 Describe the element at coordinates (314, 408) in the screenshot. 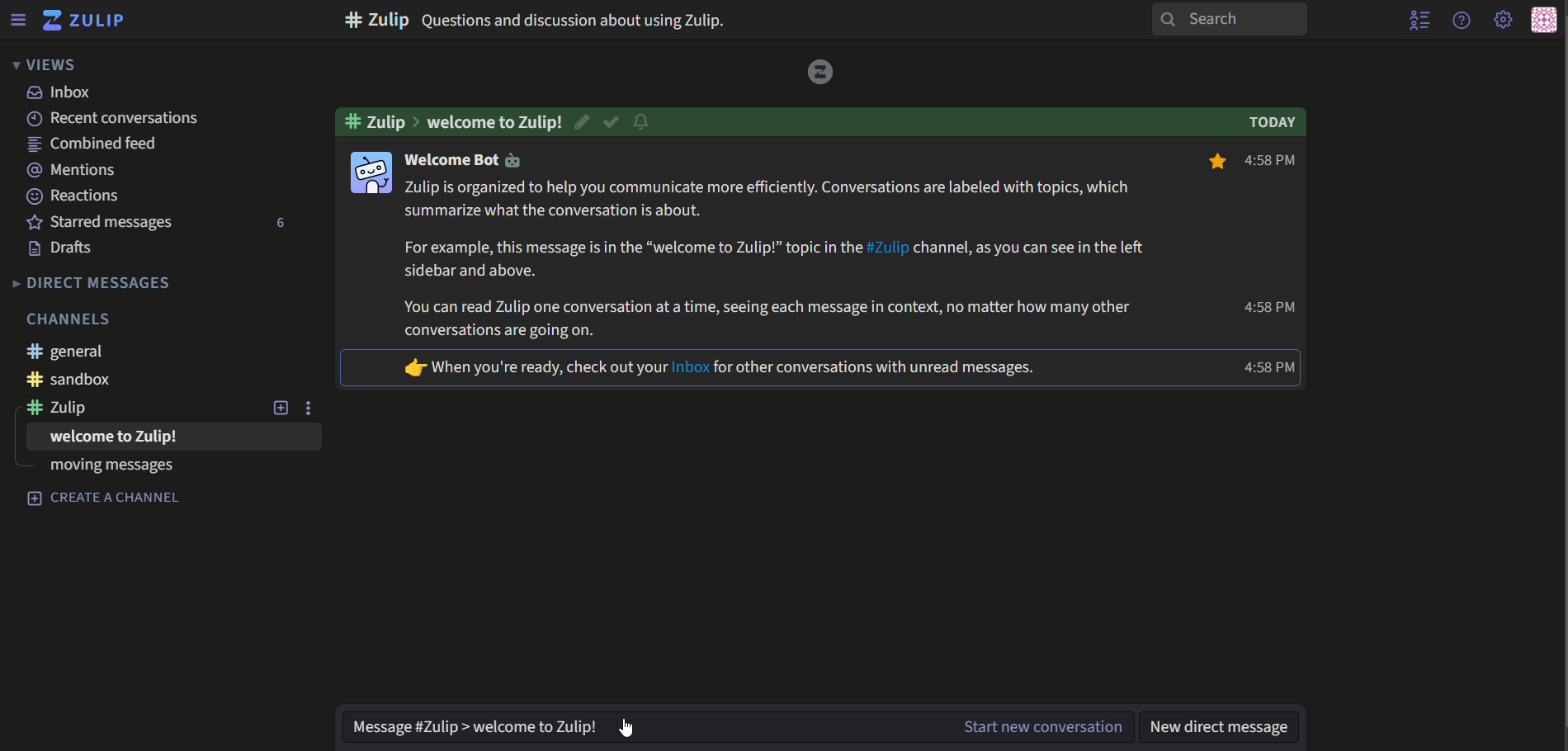

I see `options` at that location.